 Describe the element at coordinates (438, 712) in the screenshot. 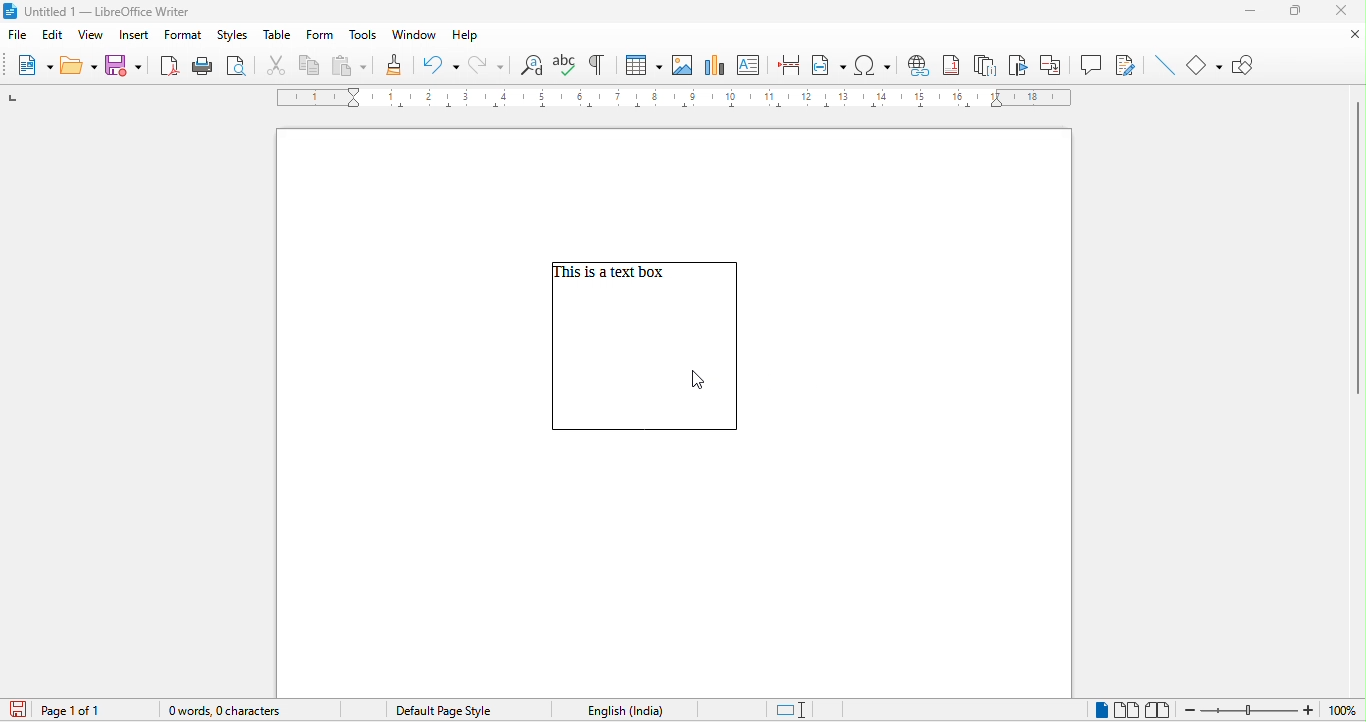

I see `default page style` at that location.